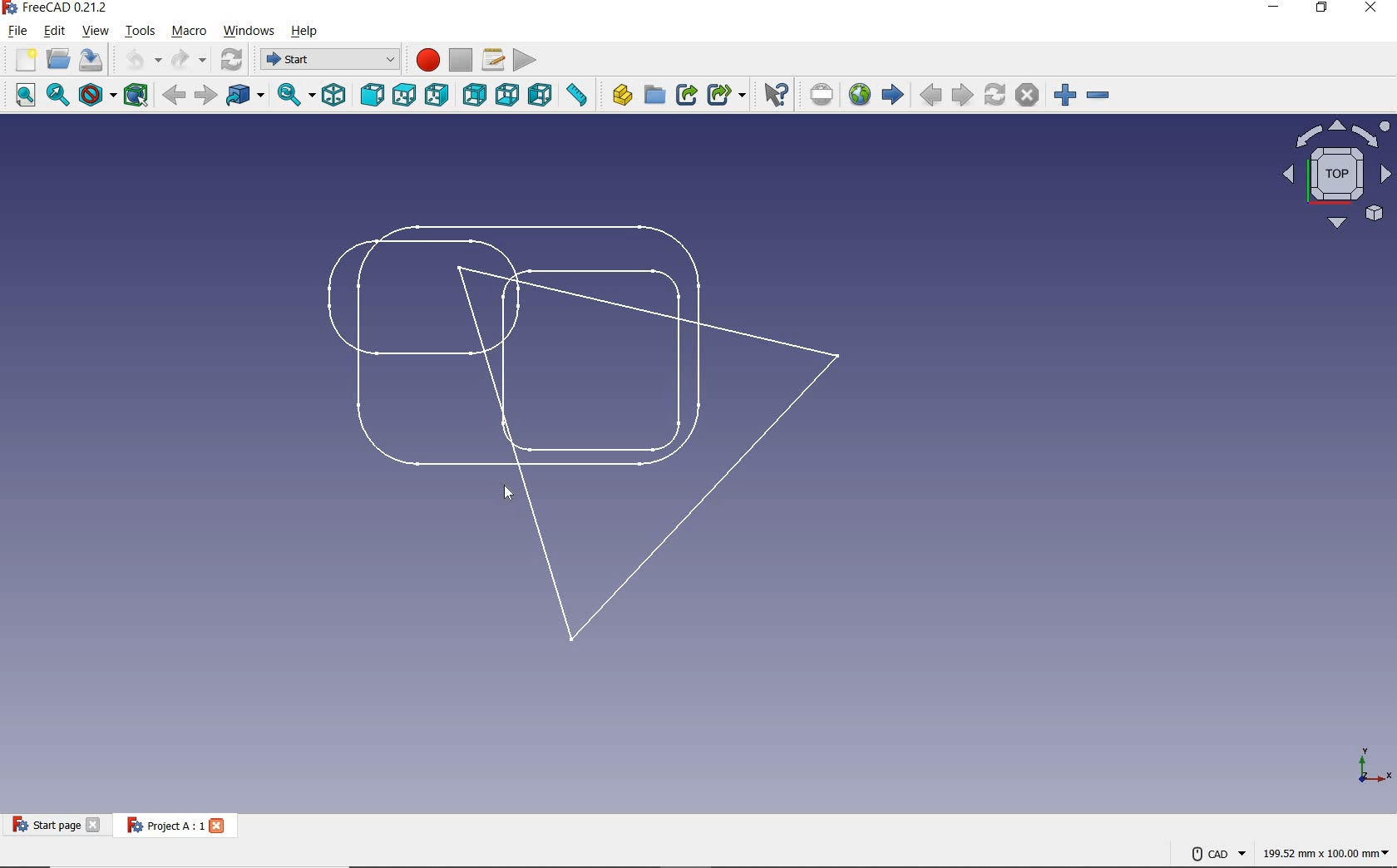  What do you see at coordinates (525, 59) in the screenshot?
I see `EXECUTE MACRO` at bounding box center [525, 59].